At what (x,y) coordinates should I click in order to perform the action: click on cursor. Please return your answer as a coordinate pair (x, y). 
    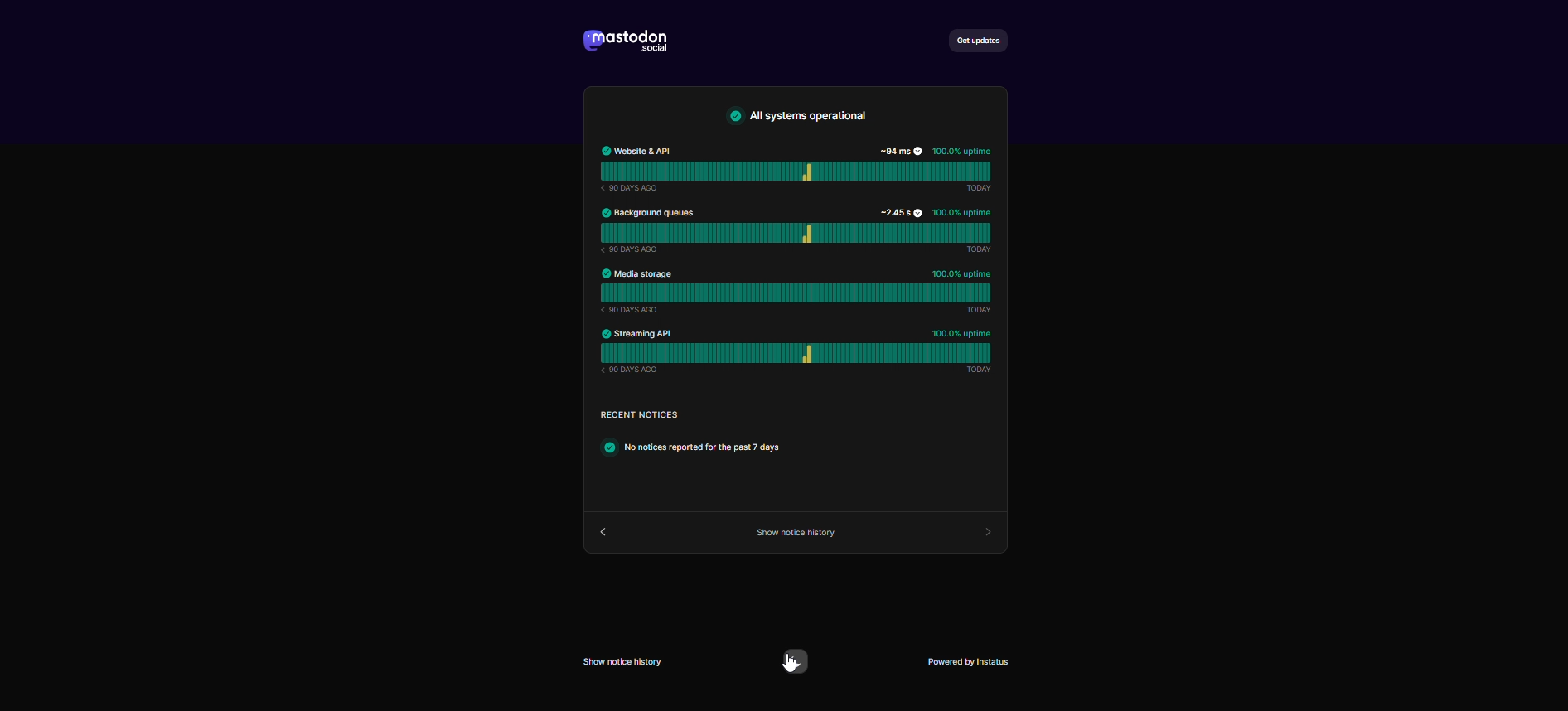
    Looking at the image, I should click on (787, 664).